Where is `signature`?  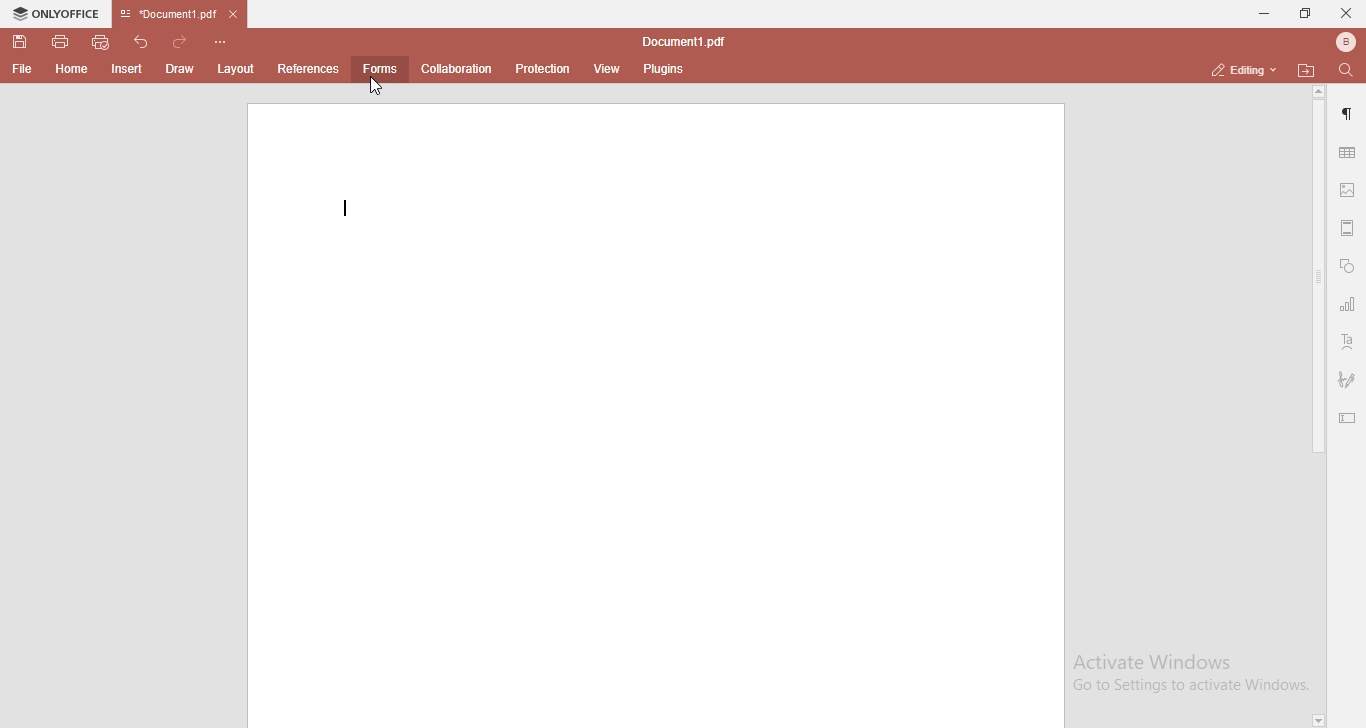 signature is located at coordinates (1347, 379).